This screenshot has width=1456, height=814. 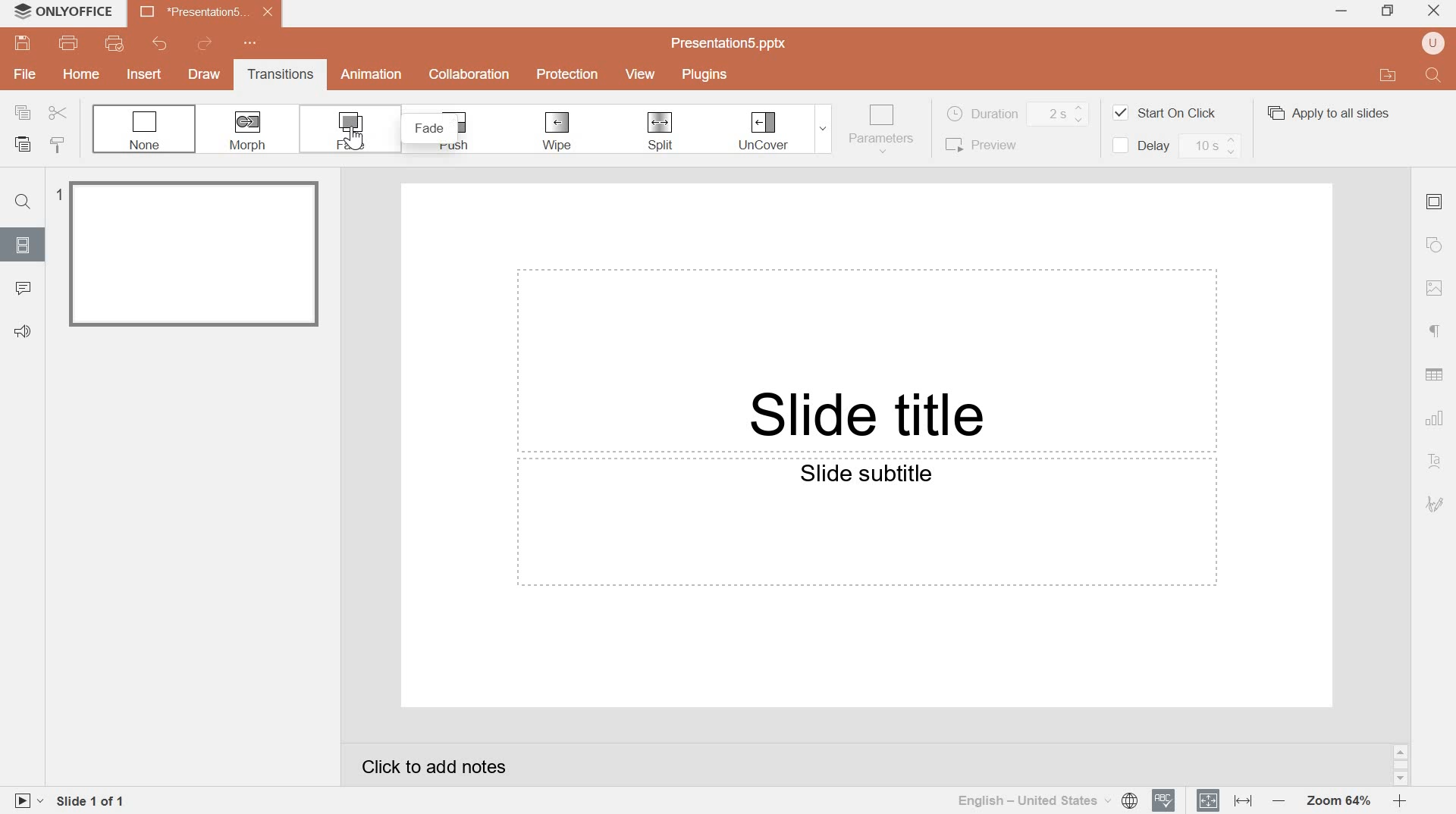 I want to click on Start On Click, so click(x=1164, y=113).